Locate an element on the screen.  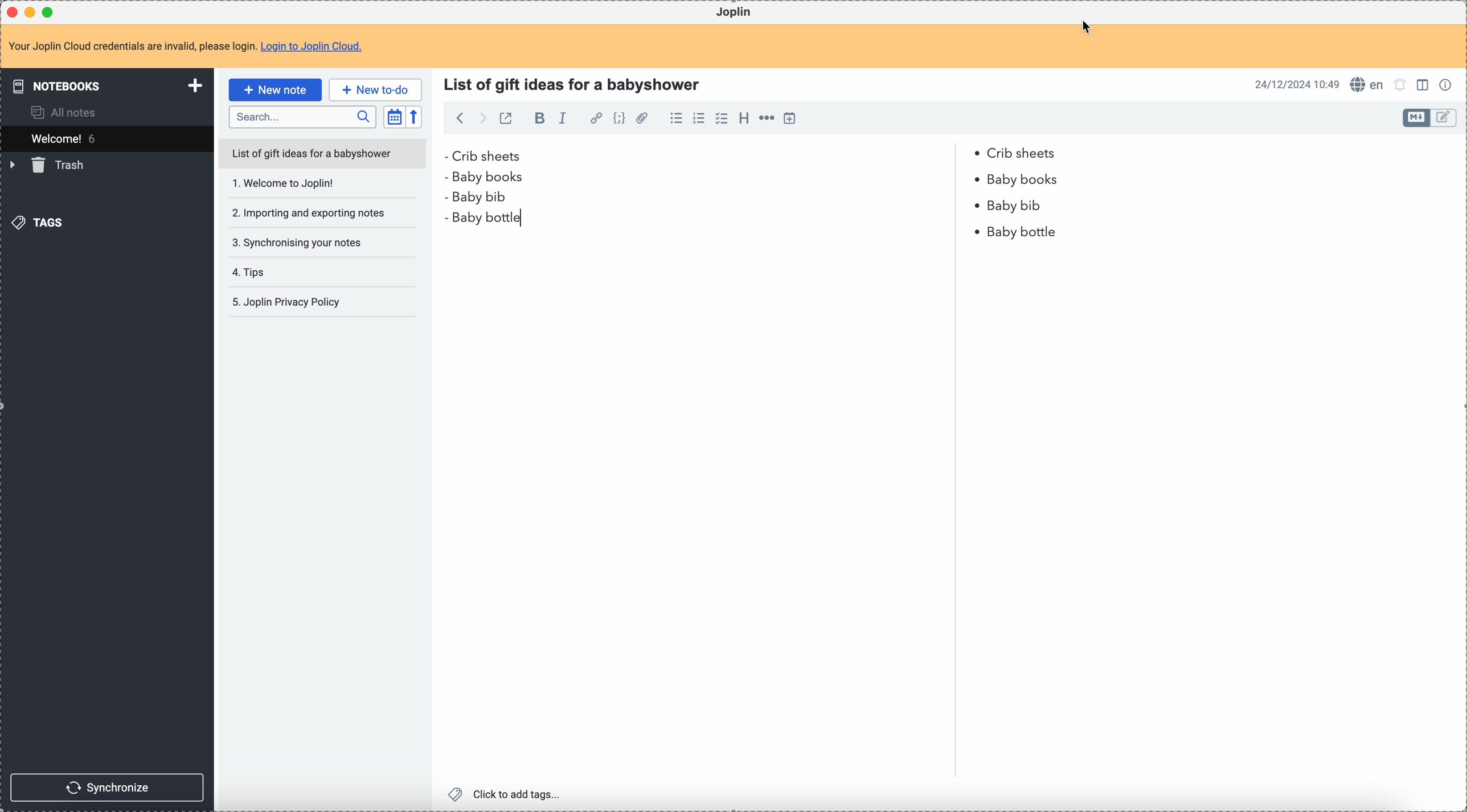
tags is located at coordinates (37, 223).